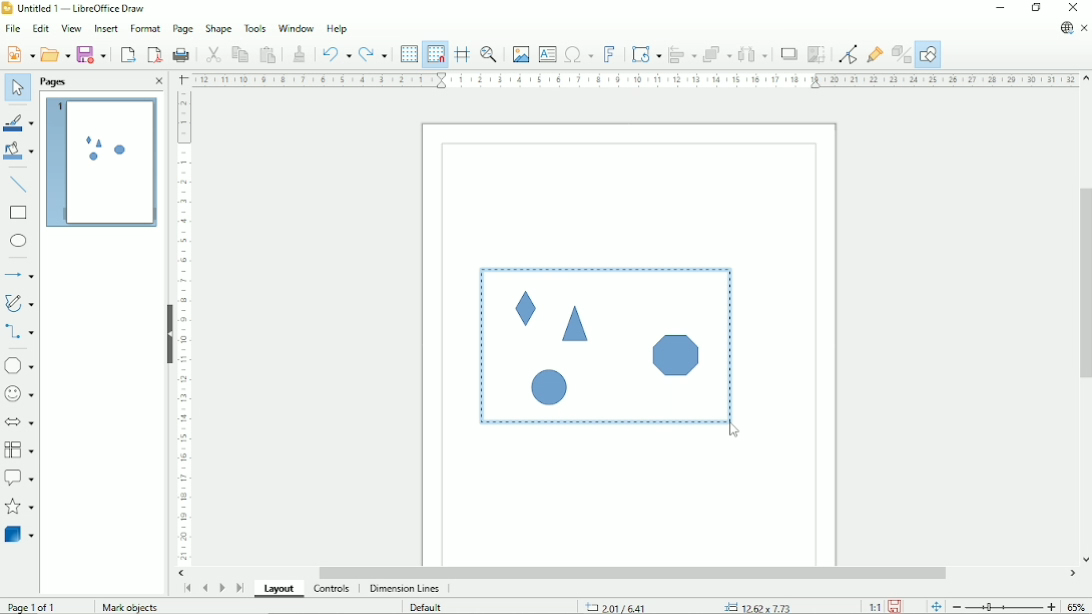  Describe the element at coordinates (128, 607) in the screenshot. I see `Mark objects` at that location.